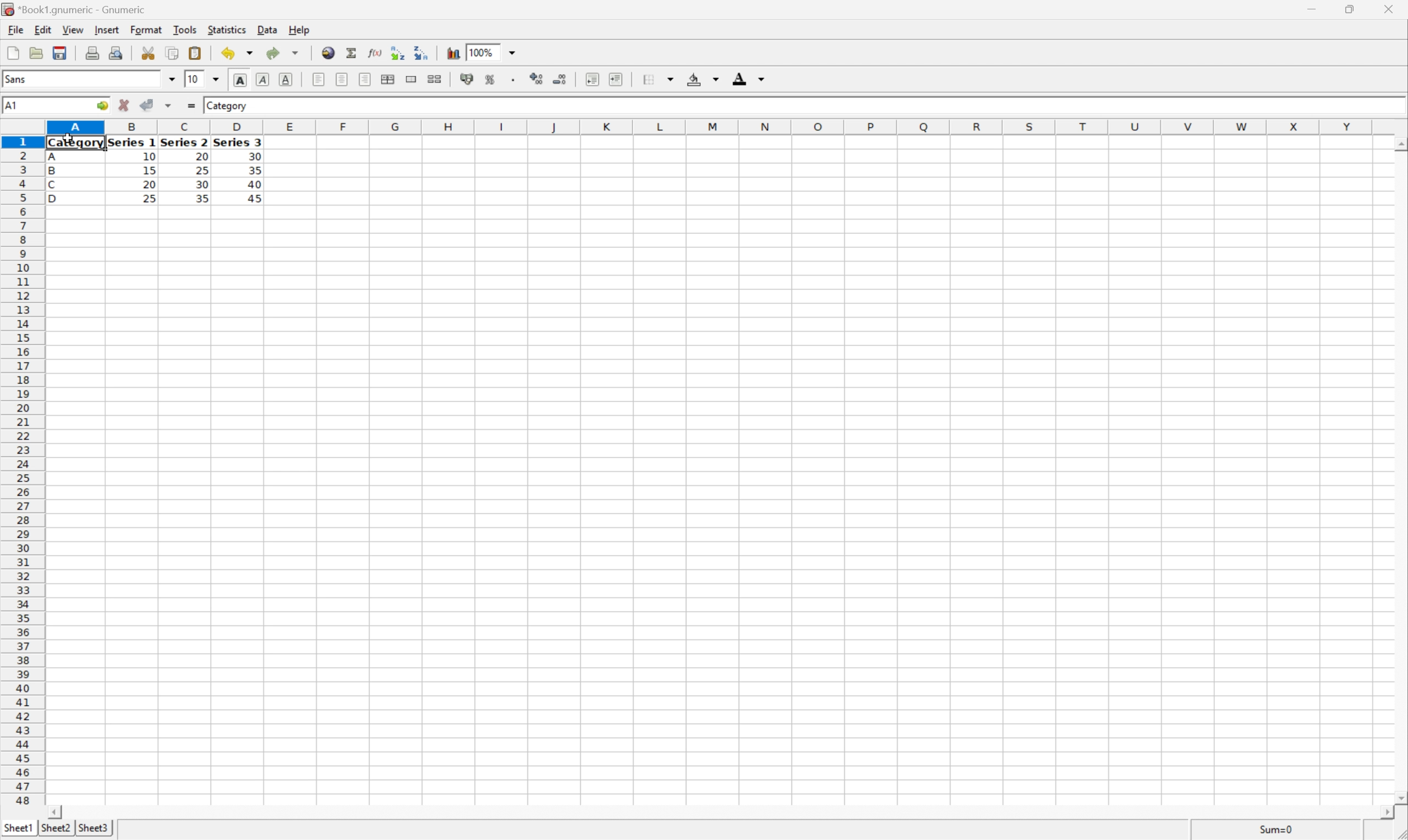 The height and width of the screenshot is (840, 1408). What do you see at coordinates (172, 79) in the screenshot?
I see `Drop Down` at bounding box center [172, 79].